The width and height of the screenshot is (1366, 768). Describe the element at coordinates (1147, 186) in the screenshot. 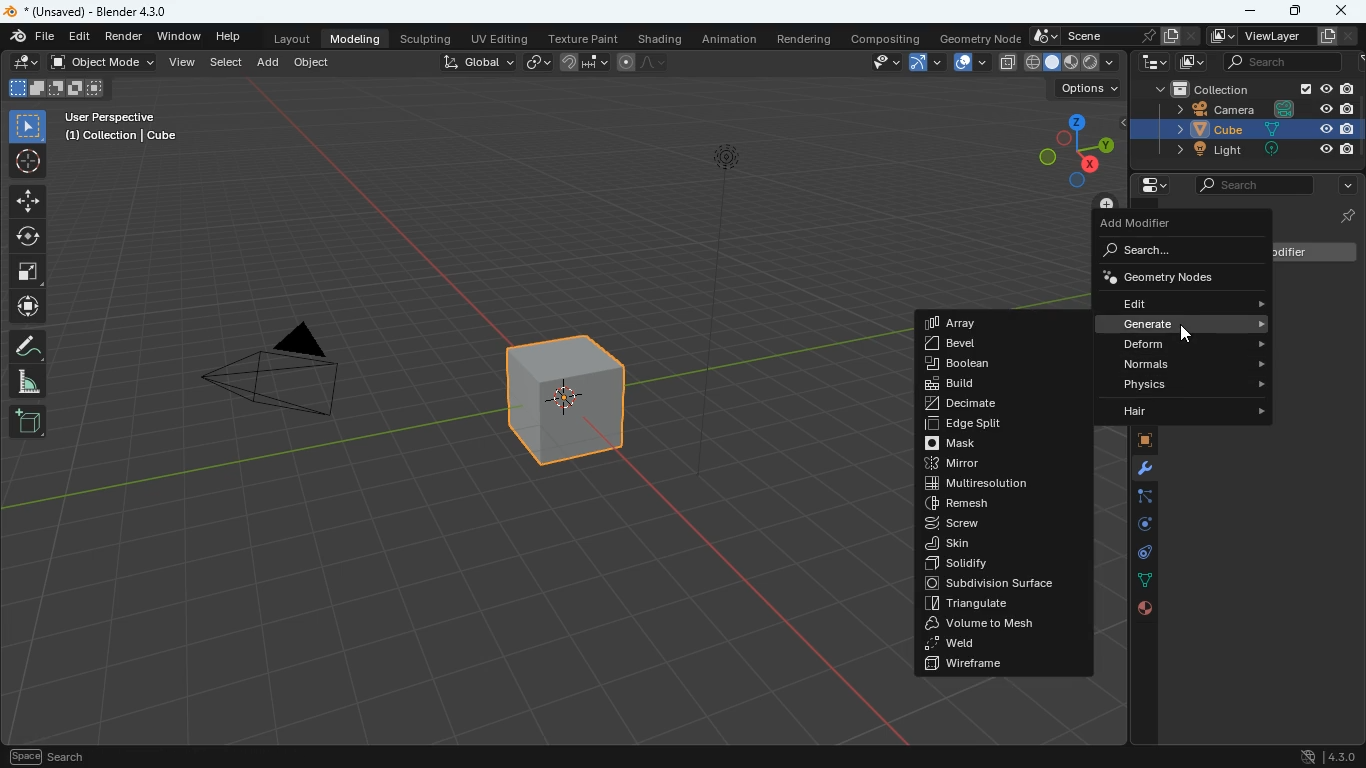

I see `settings` at that location.